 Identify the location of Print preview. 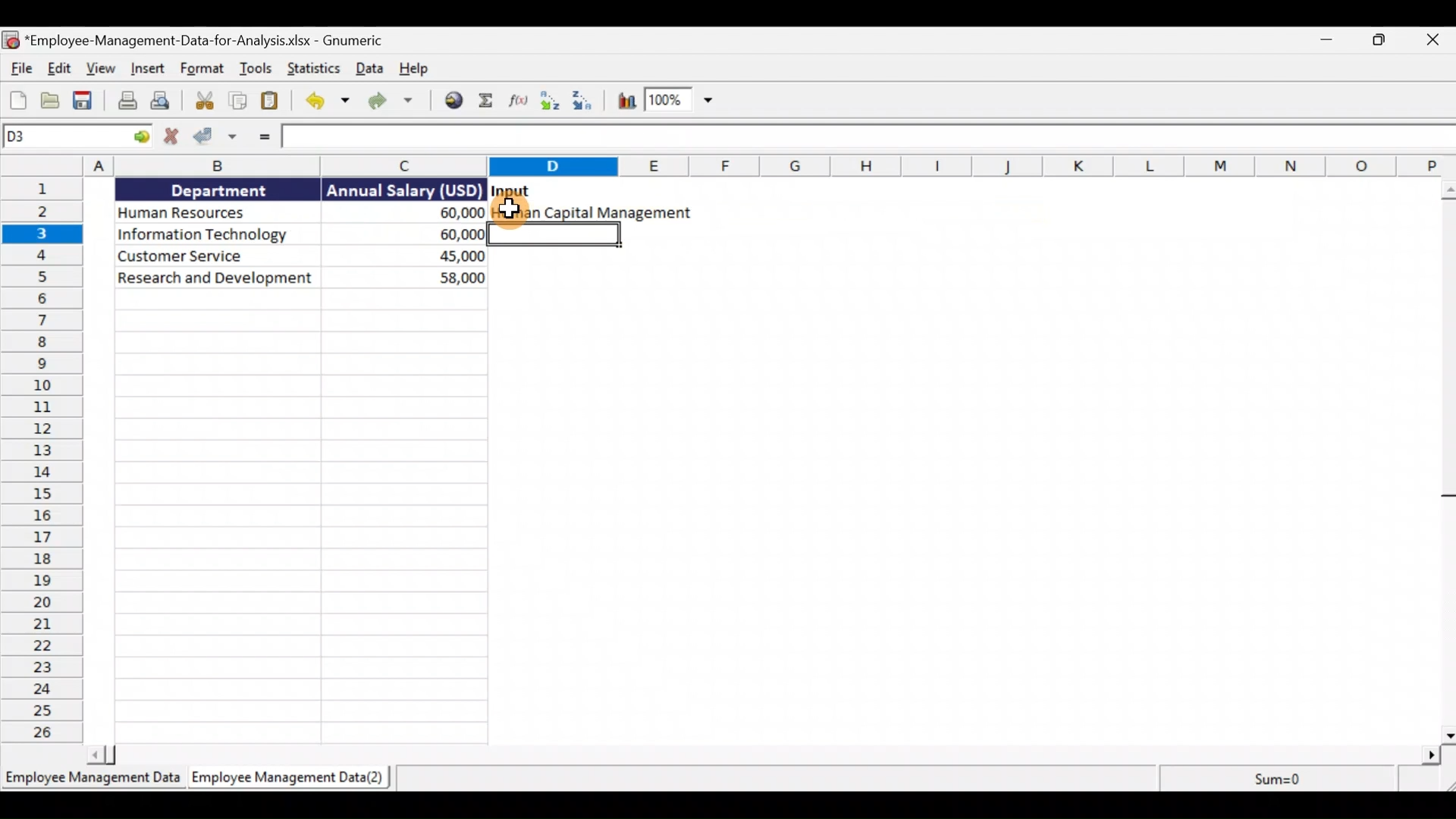
(166, 102).